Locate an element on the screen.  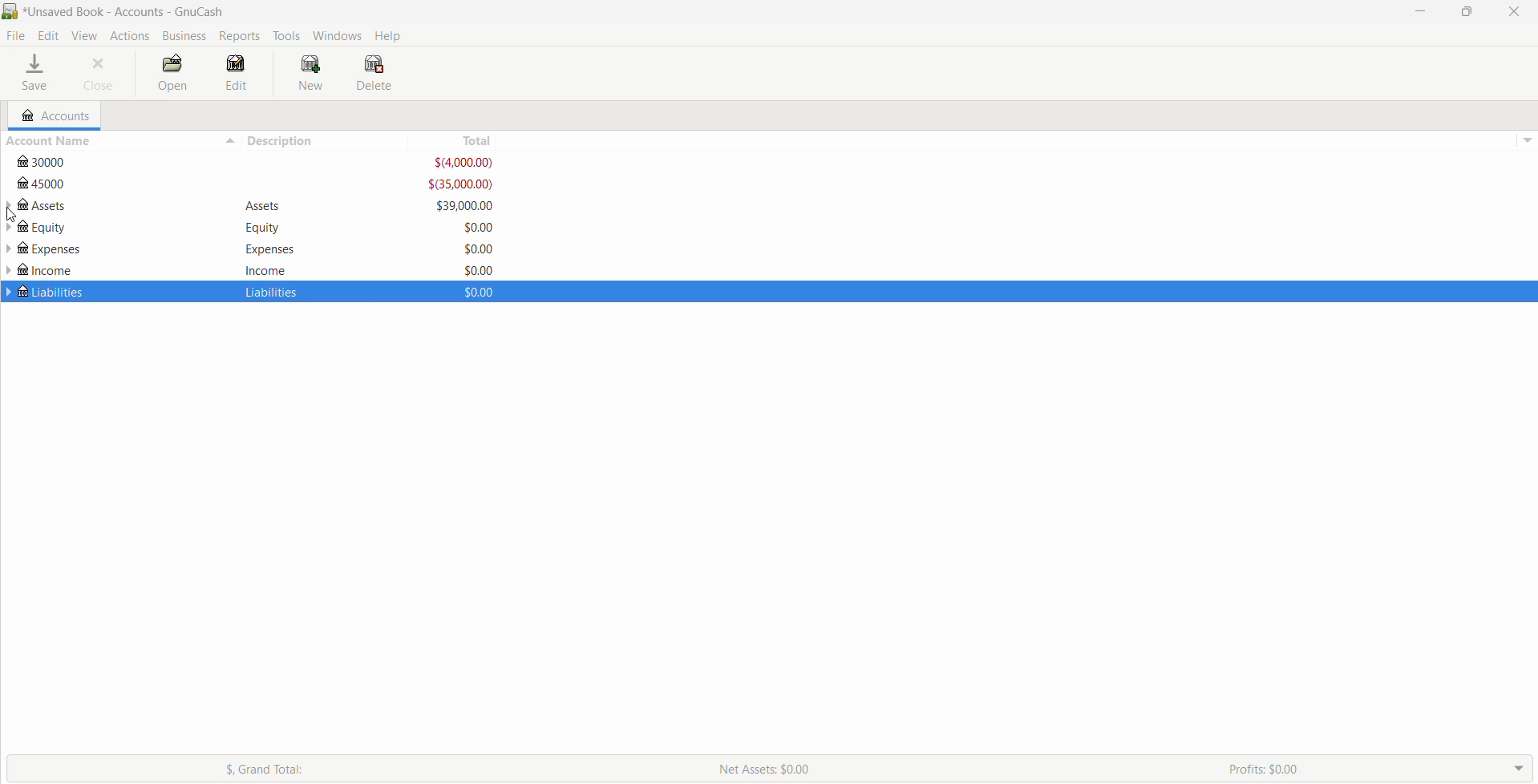
Business is located at coordinates (185, 36).